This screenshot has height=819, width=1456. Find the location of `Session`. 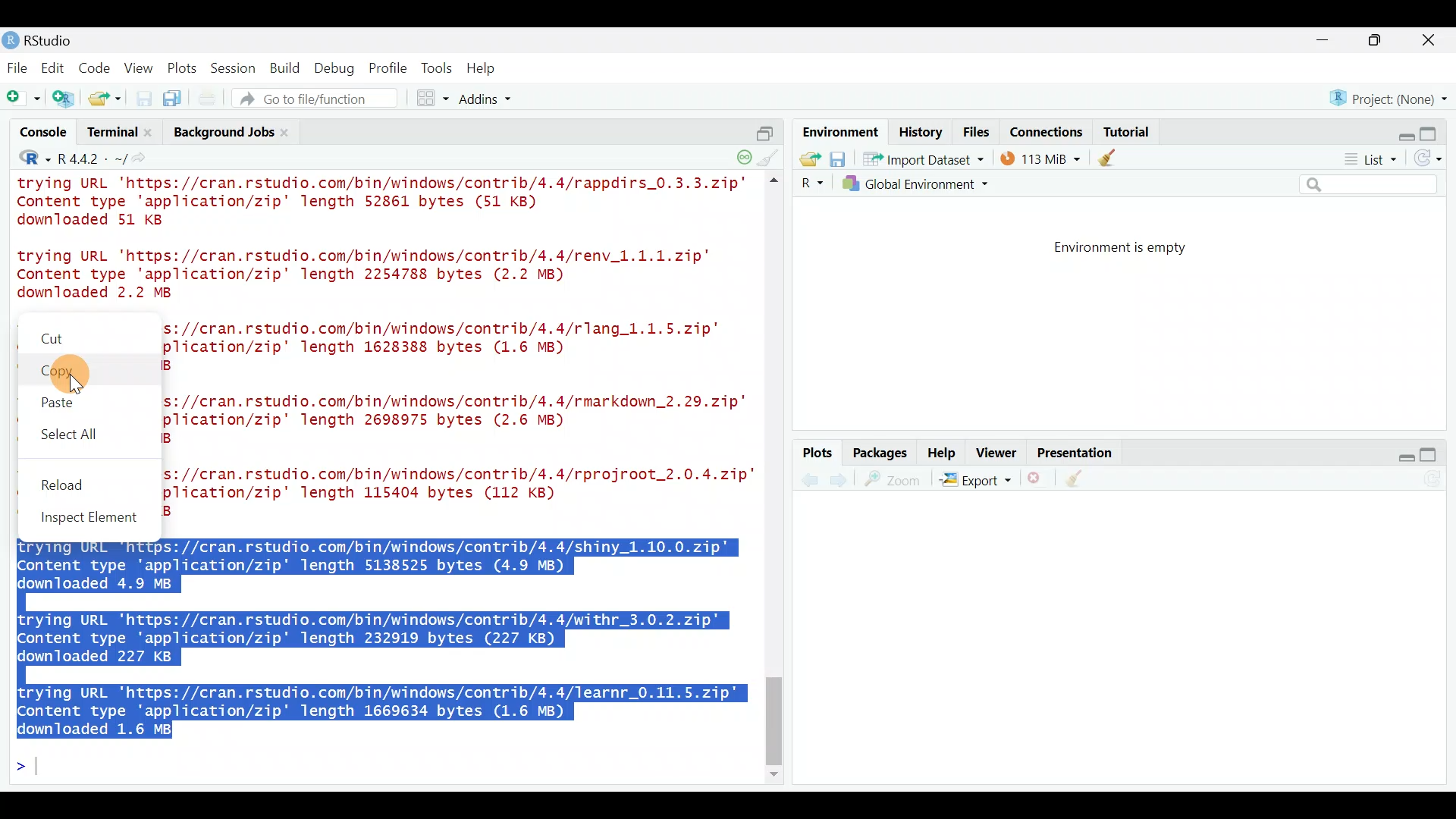

Session is located at coordinates (236, 67).